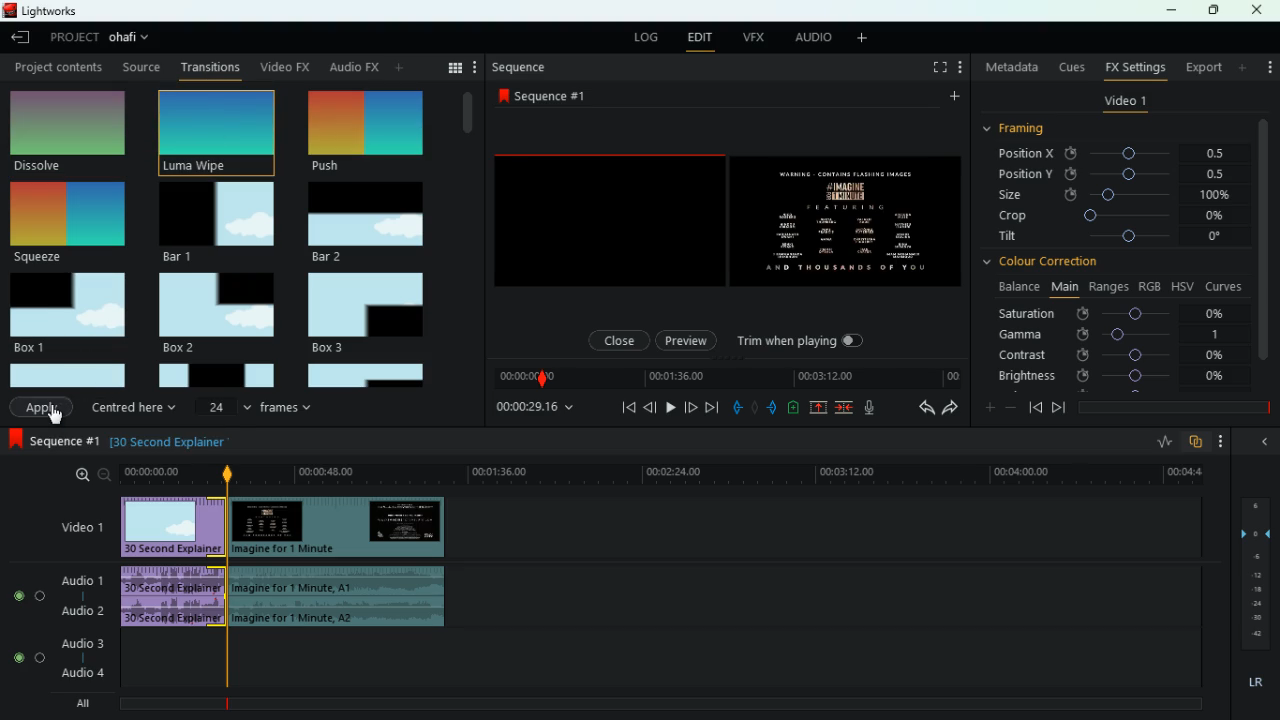  Describe the element at coordinates (211, 69) in the screenshot. I see `transition` at that location.